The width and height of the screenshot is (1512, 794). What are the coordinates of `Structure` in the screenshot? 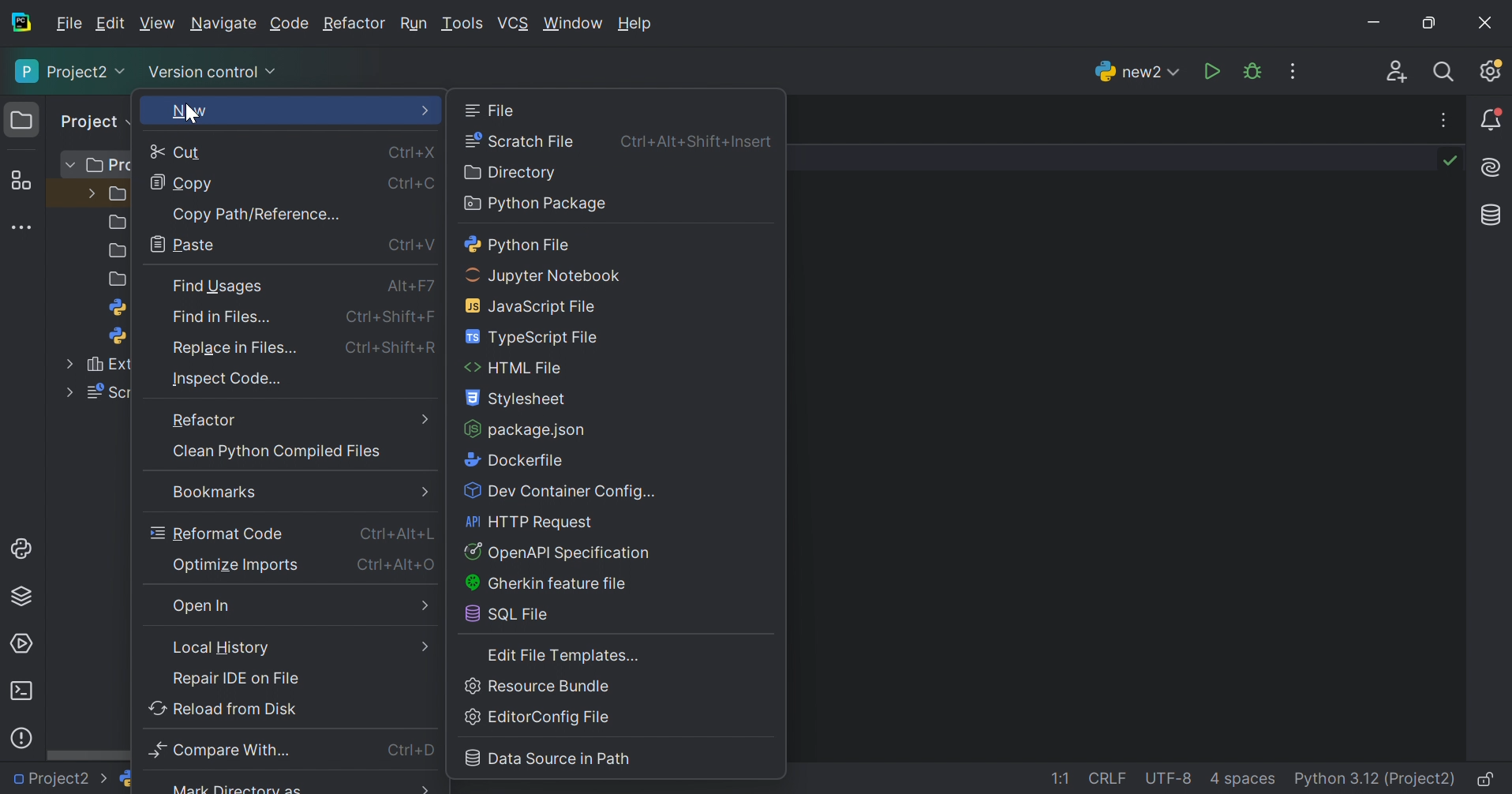 It's located at (20, 180).